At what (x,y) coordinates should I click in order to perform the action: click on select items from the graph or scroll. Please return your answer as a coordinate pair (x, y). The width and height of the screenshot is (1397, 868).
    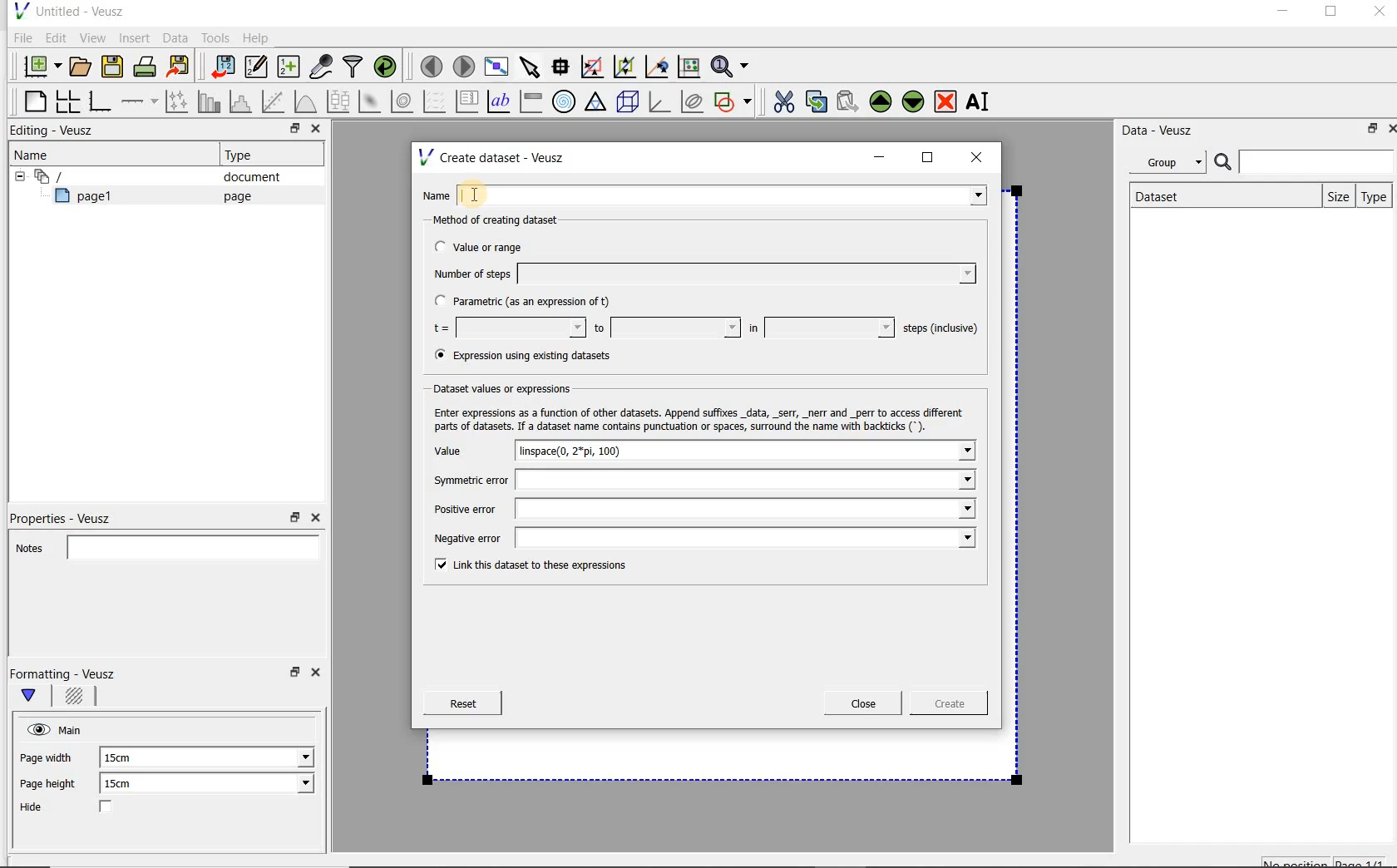
    Looking at the image, I should click on (529, 65).